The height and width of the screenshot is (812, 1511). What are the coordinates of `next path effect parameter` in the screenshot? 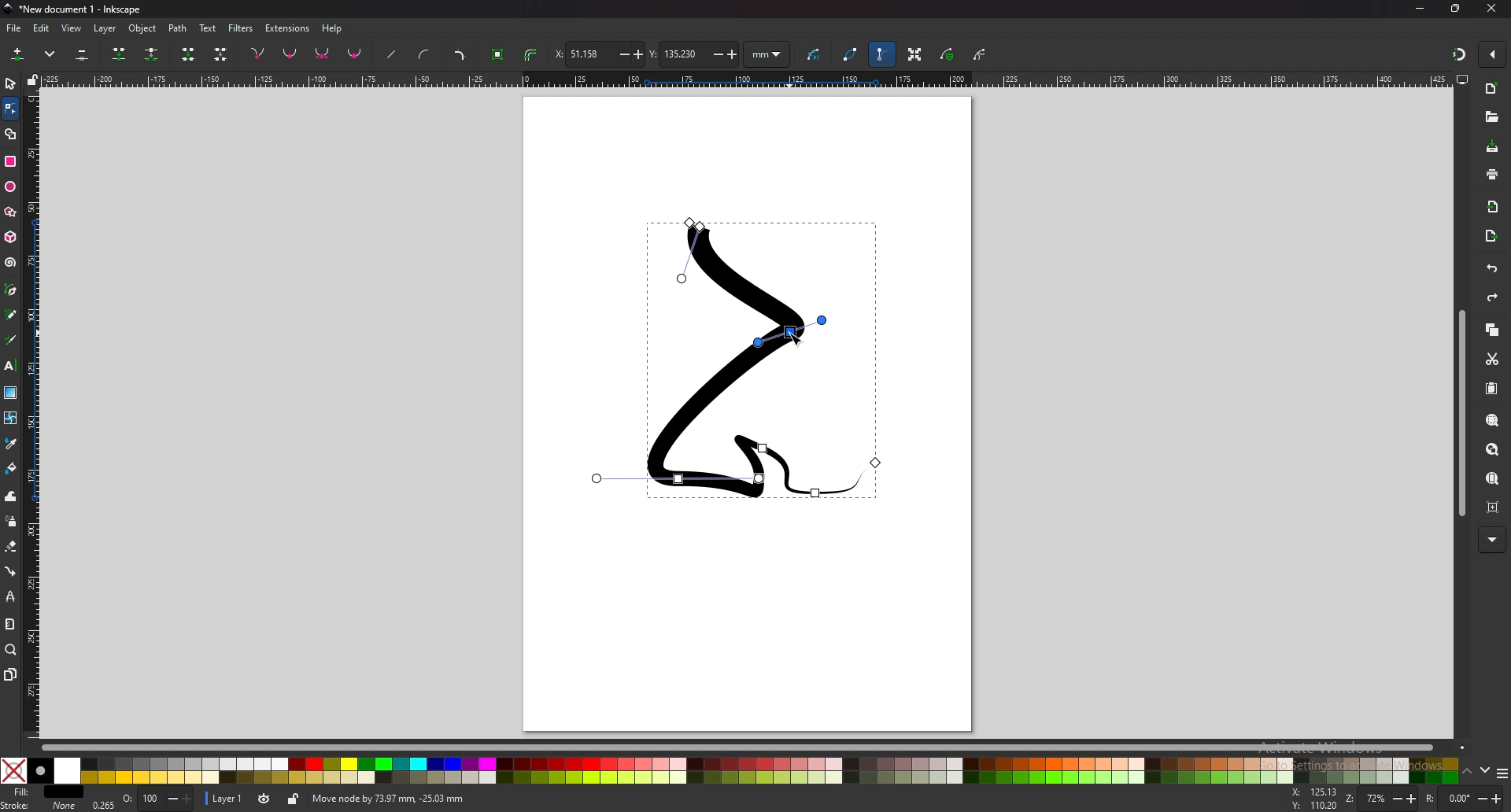 It's located at (816, 55).